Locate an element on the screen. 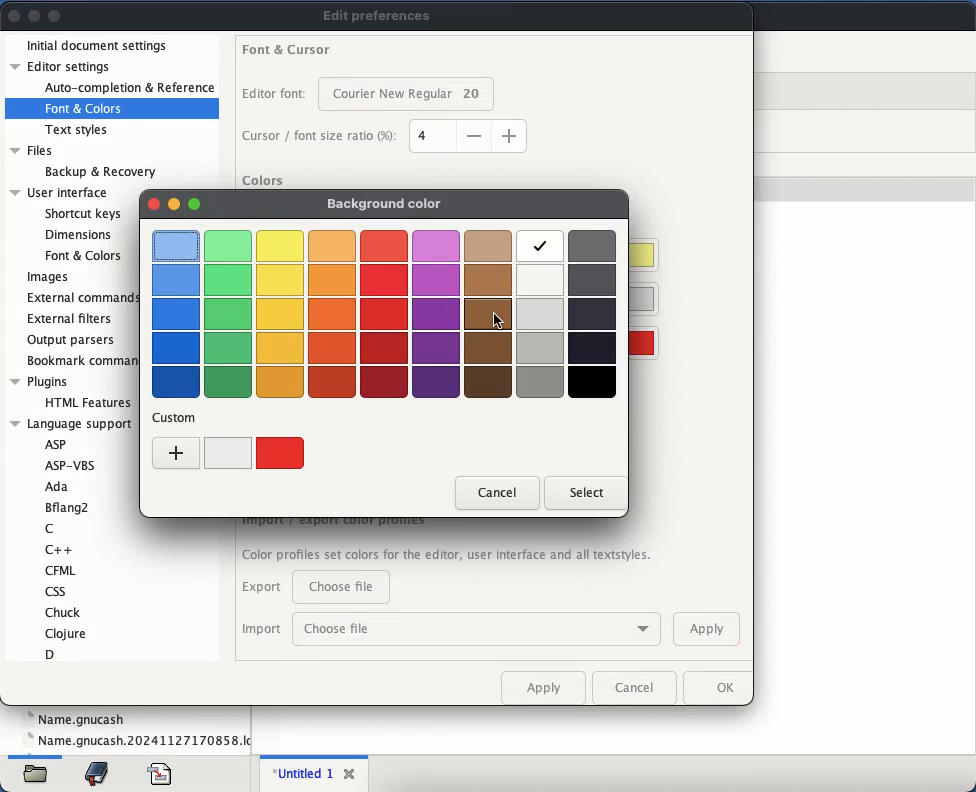  white is located at coordinates (227, 453).